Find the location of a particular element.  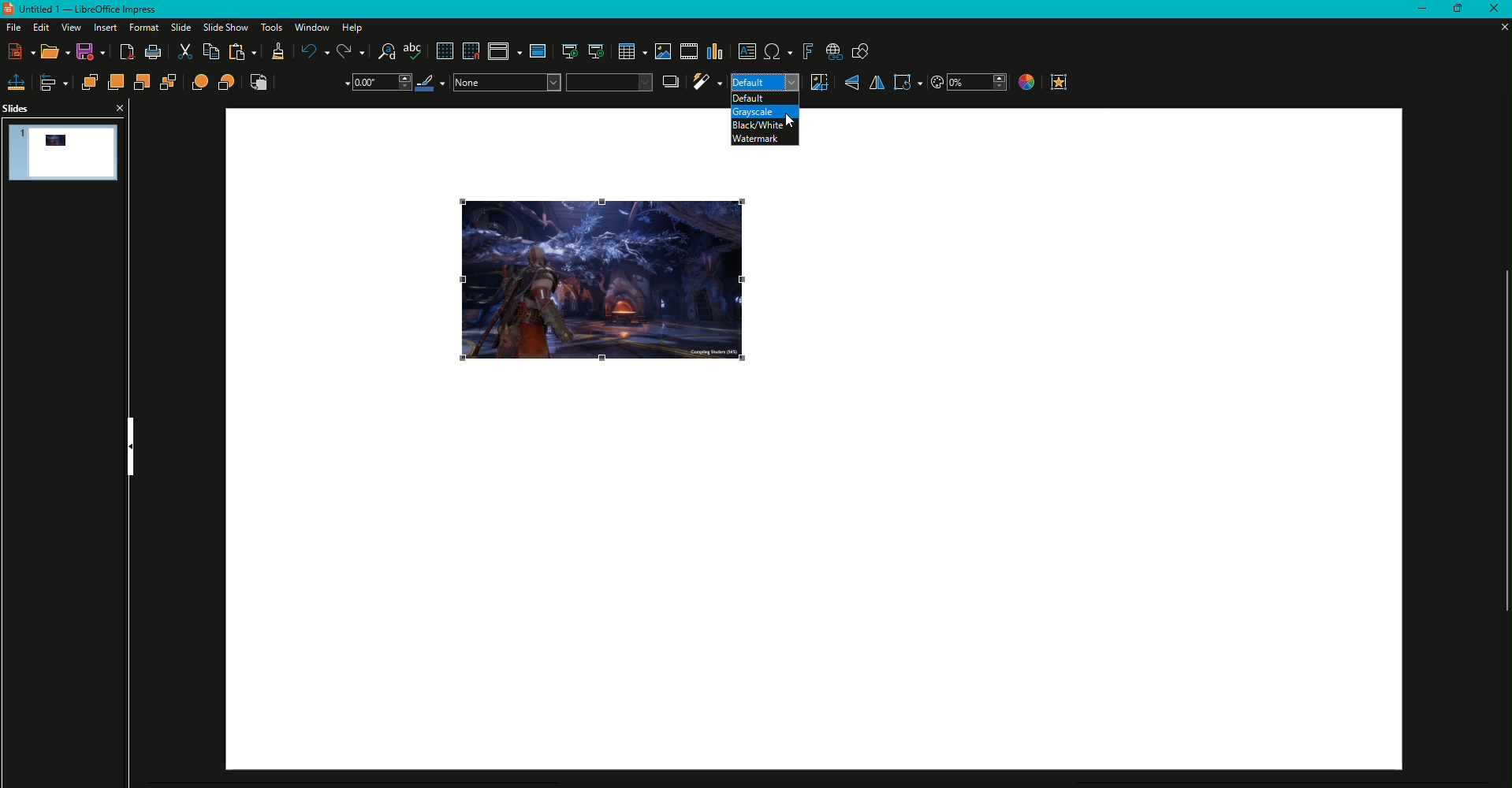

Edit is located at coordinates (39, 28).